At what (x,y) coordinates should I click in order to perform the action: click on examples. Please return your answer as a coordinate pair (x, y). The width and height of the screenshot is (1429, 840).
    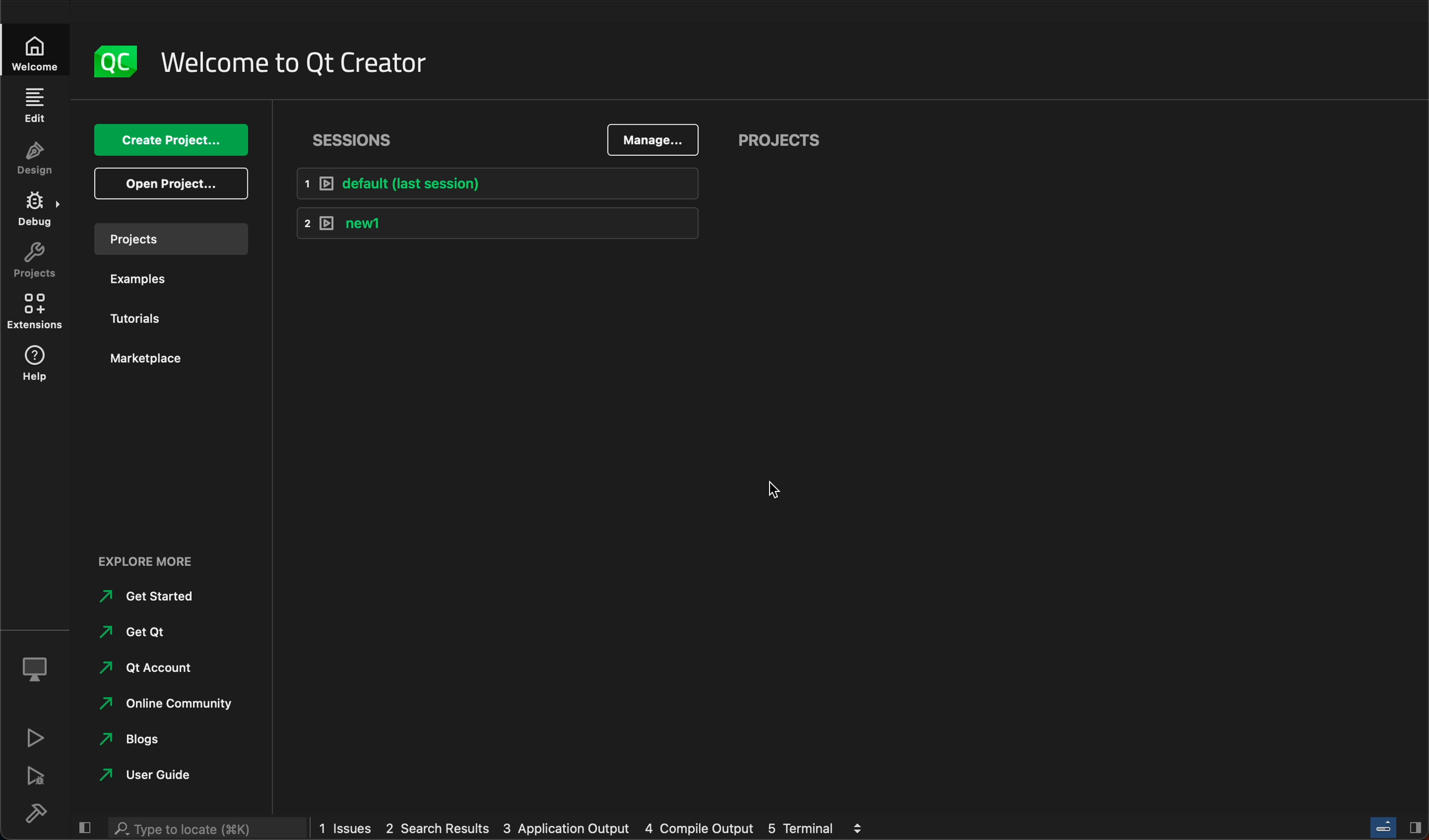
    Looking at the image, I should click on (158, 281).